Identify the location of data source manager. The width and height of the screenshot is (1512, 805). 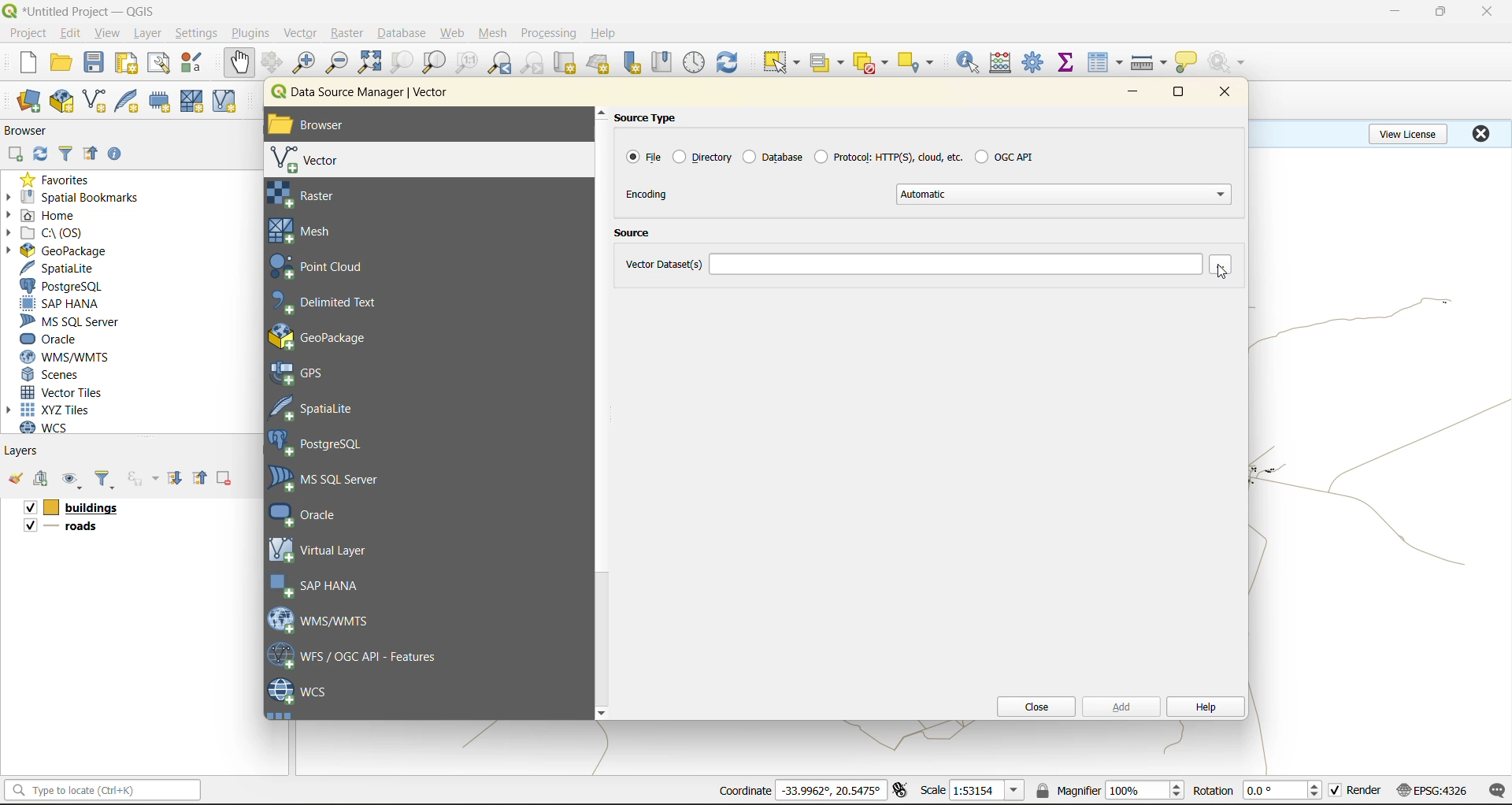
(372, 95).